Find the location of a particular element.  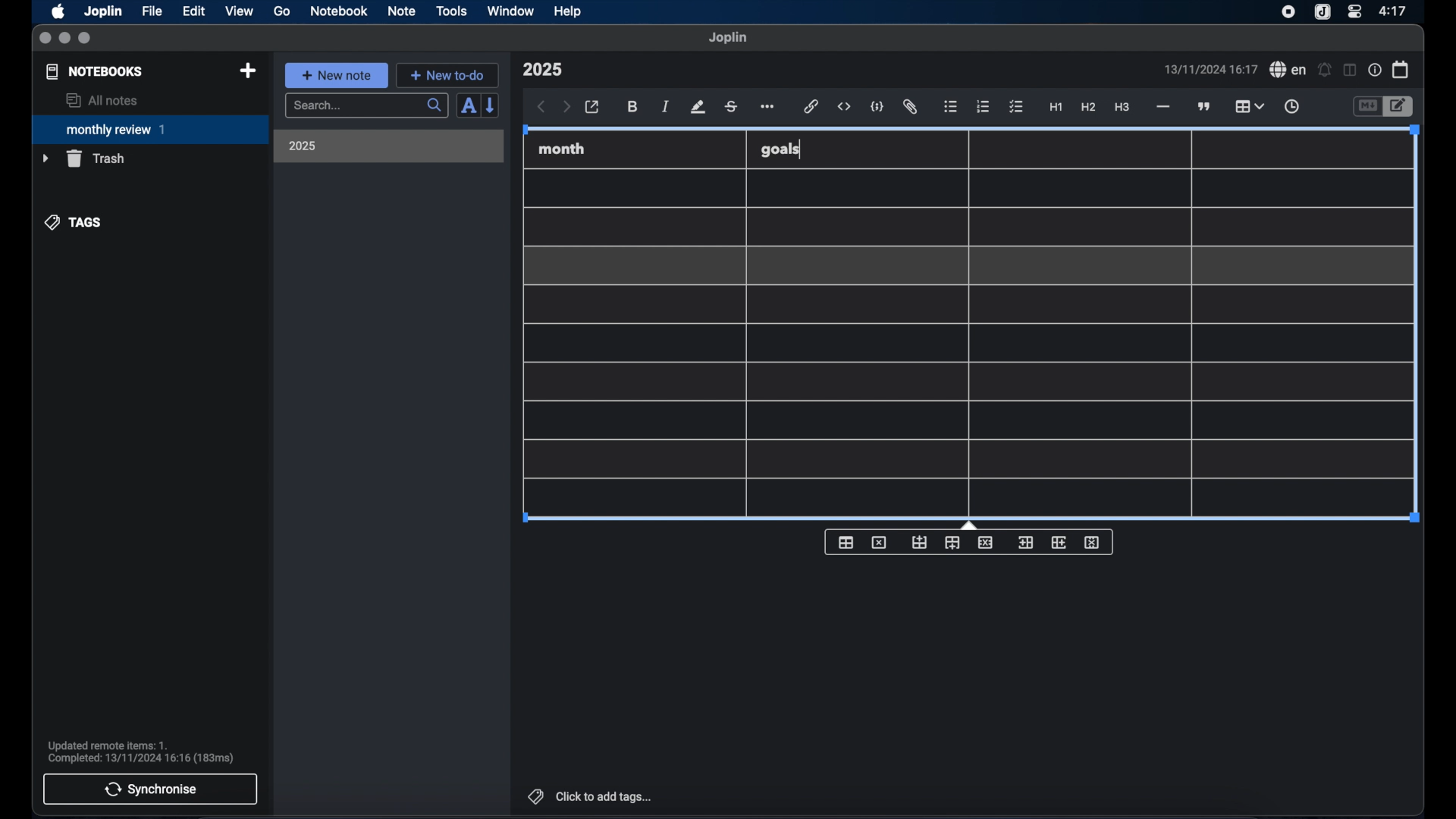

delete row is located at coordinates (987, 541).